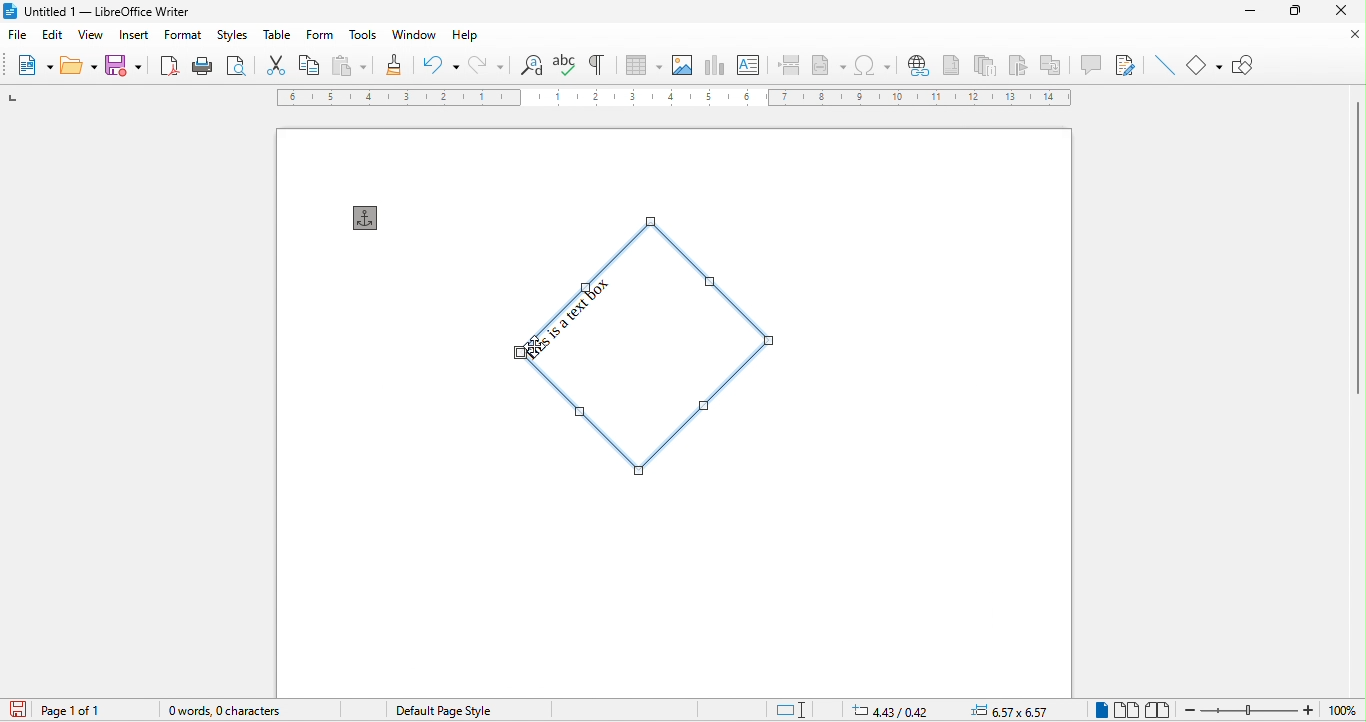  What do you see at coordinates (986, 64) in the screenshot?
I see `endnote` at bounding box center [986, 64].